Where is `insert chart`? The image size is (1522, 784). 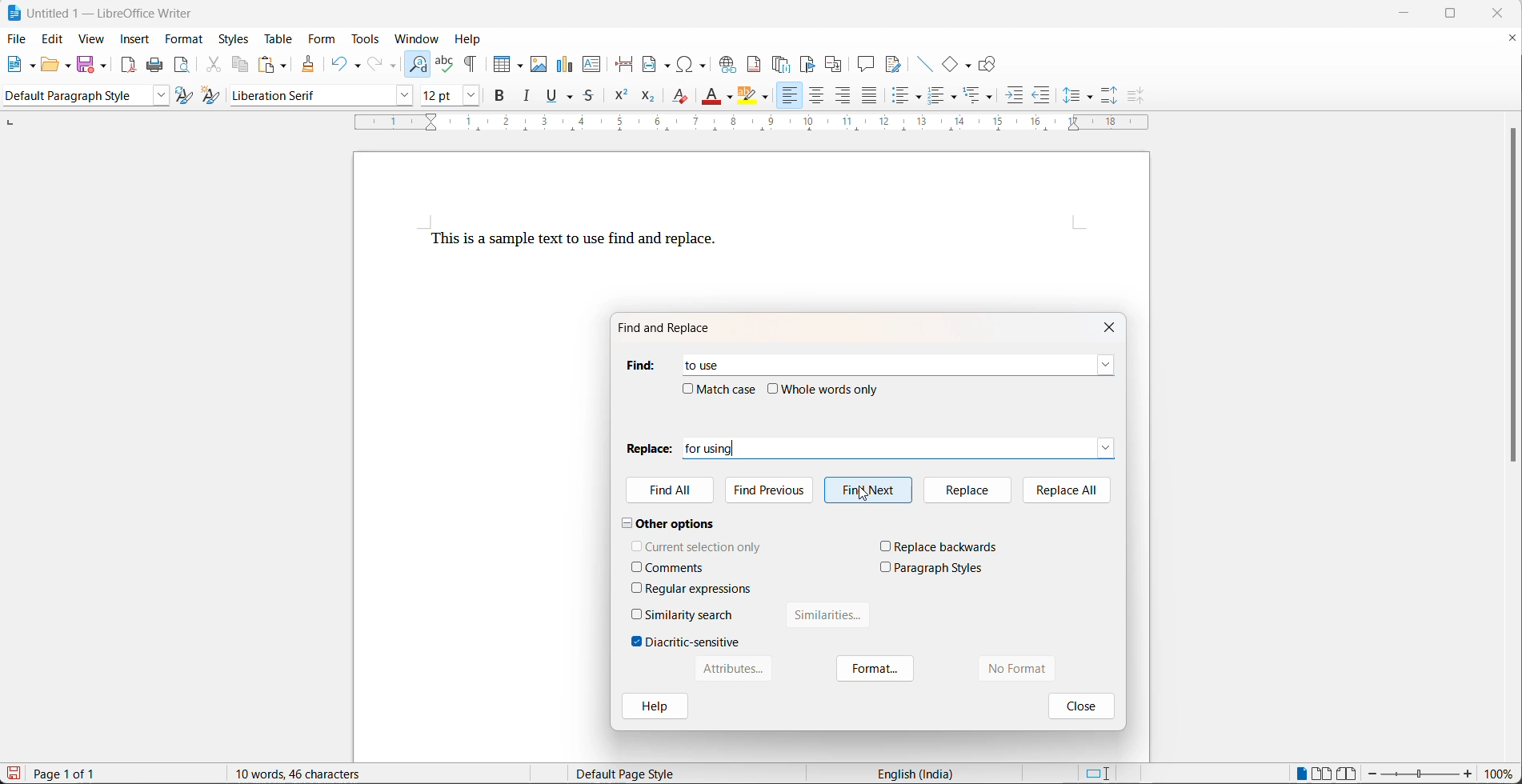 insert chart is located at coordinates (567, 62).